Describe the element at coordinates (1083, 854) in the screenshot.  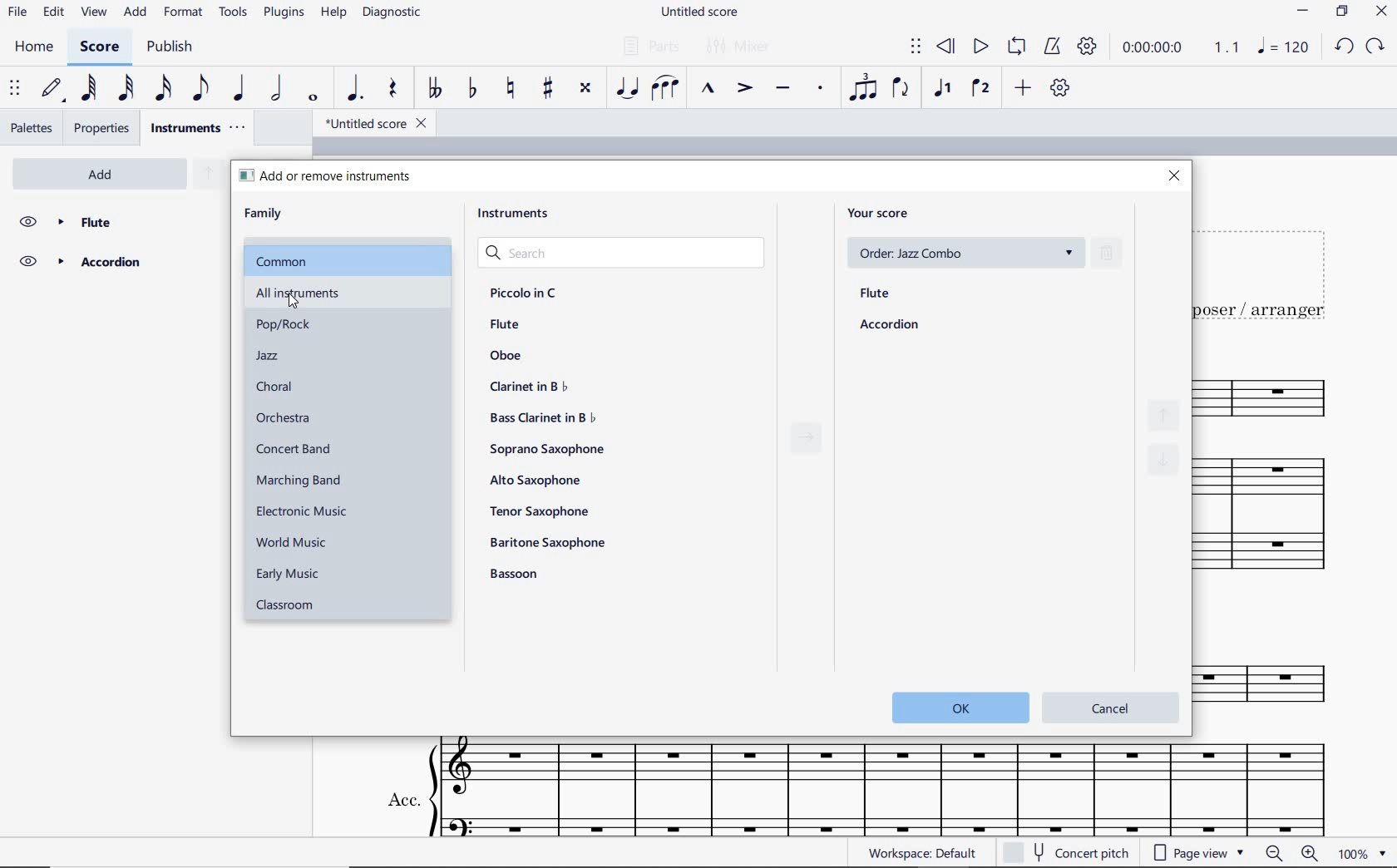
I see `concert pitch` at that location.